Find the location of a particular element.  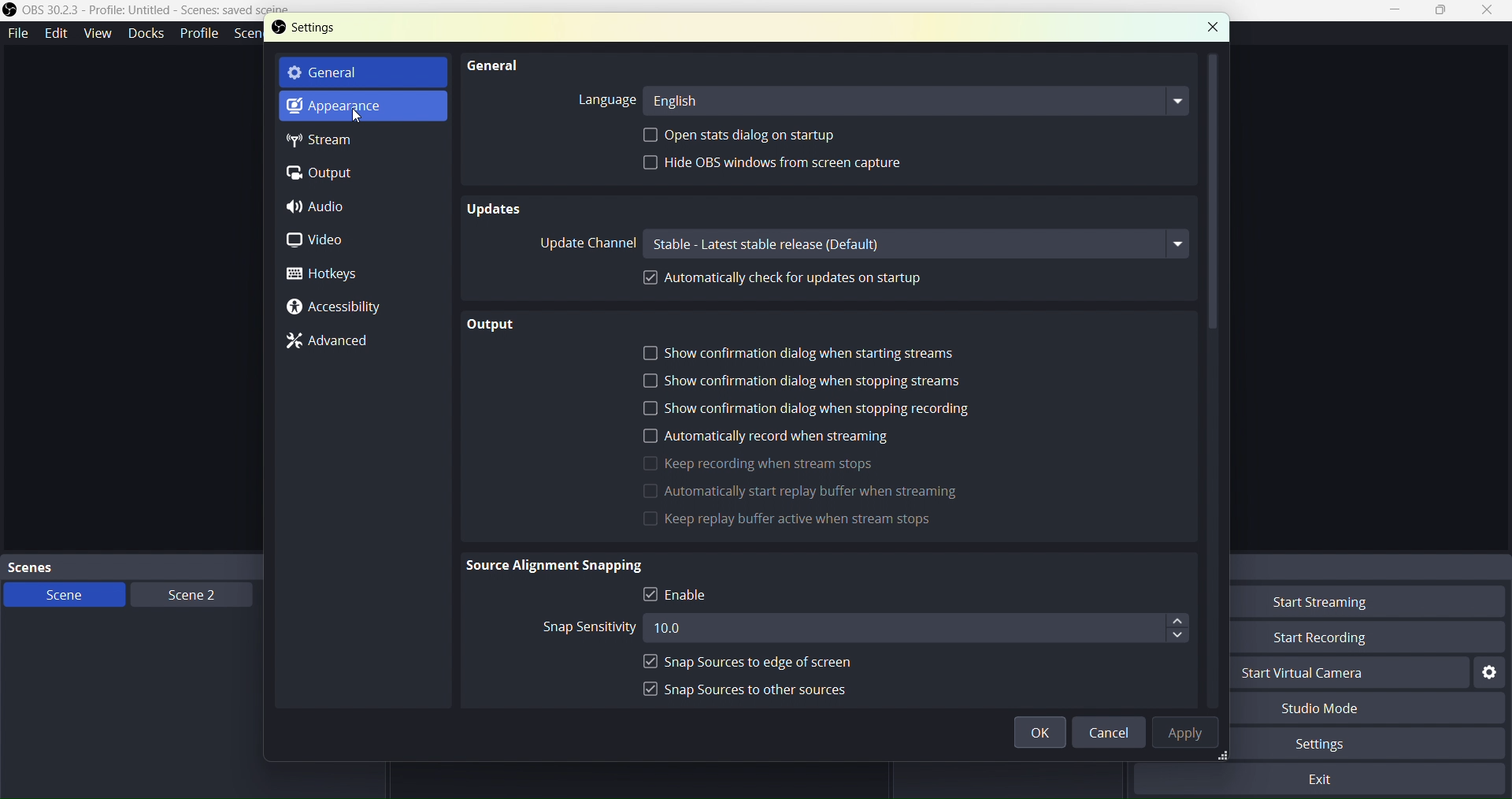

Snap sources to other sources is located at coordinates (747, 695).